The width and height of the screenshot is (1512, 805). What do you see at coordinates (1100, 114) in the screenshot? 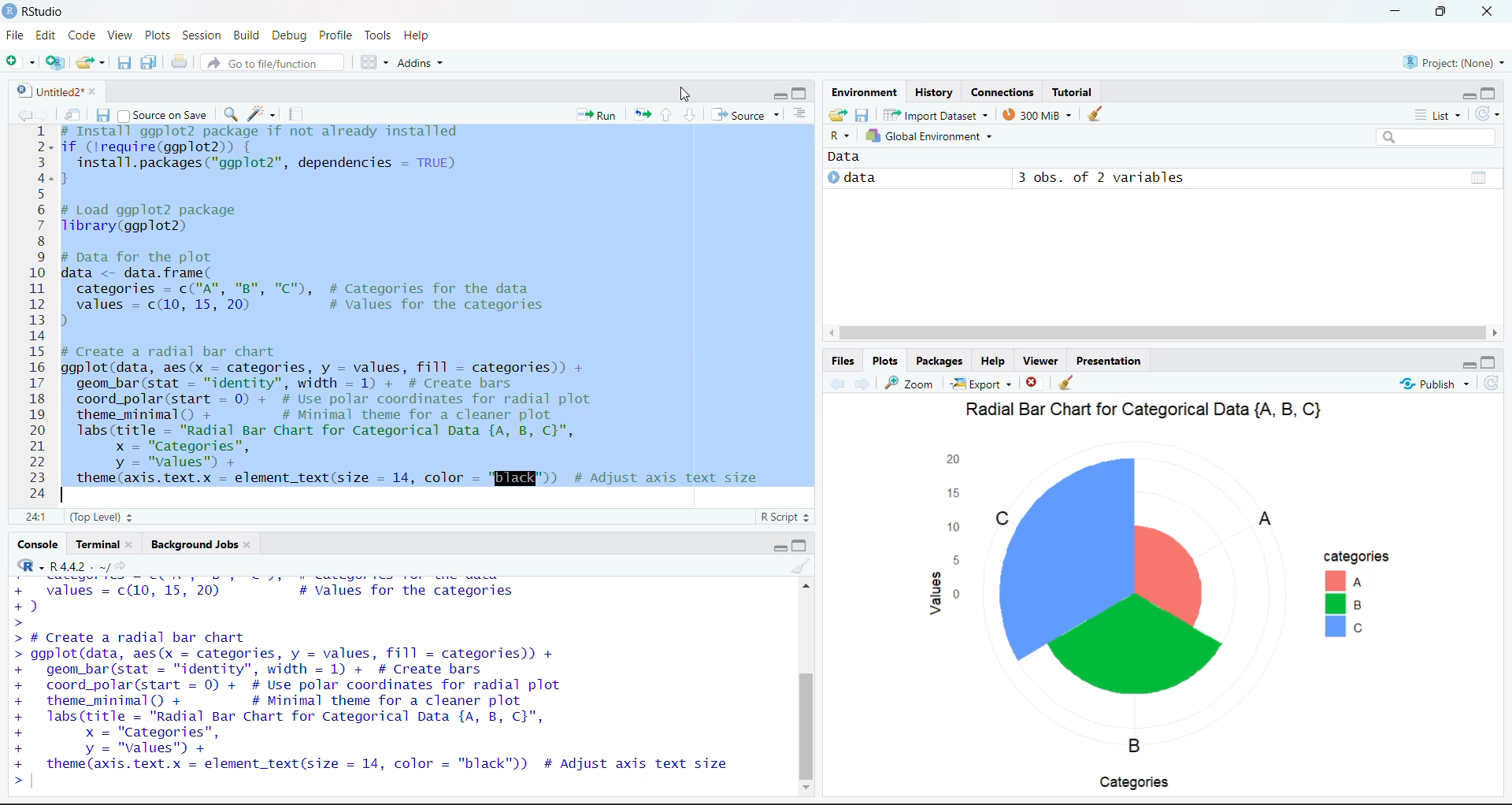
I see `clear history` at bounding box center [1100, 114].